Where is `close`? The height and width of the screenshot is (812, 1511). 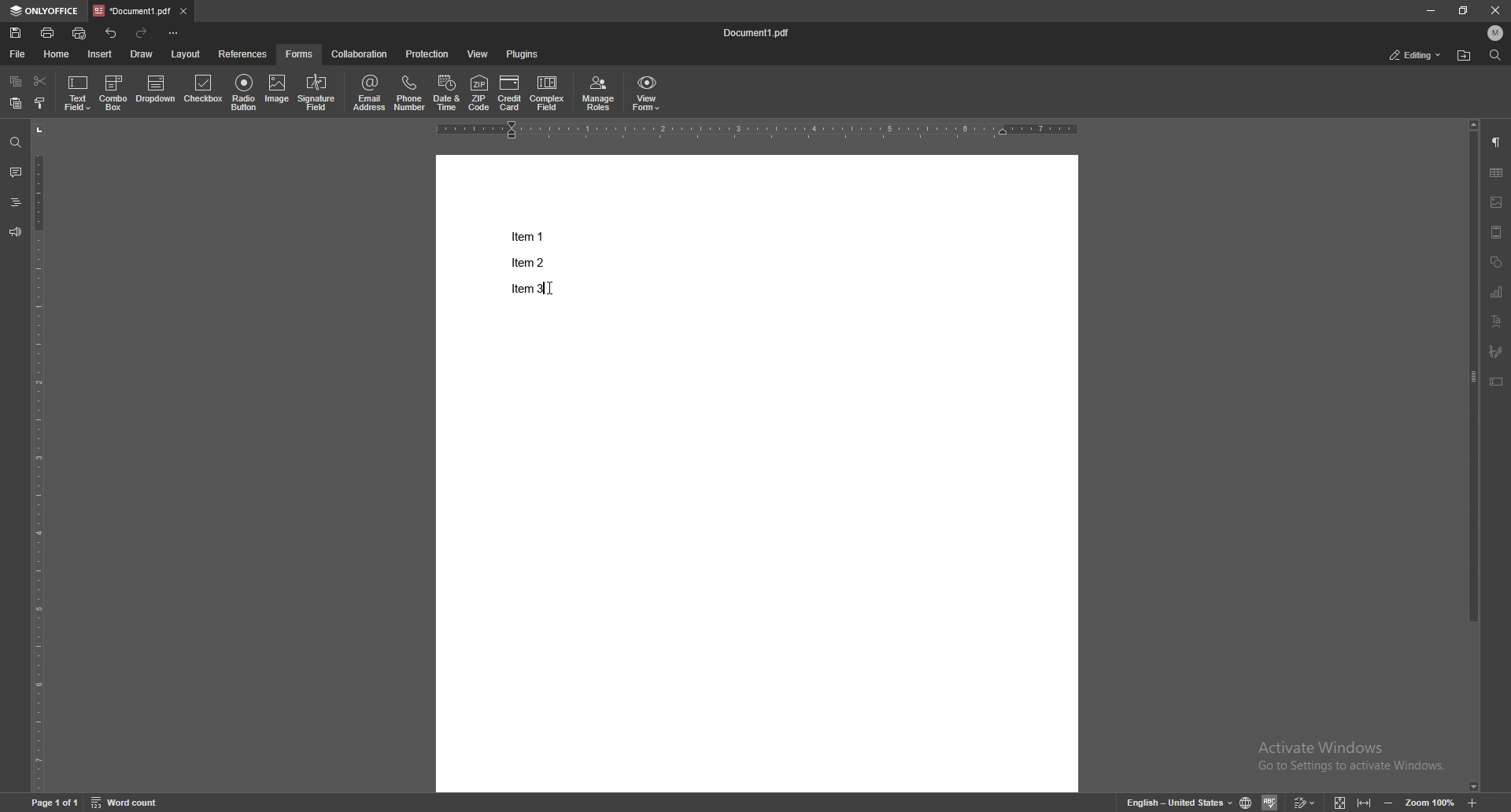 close is located at coordinates (1494, 10).